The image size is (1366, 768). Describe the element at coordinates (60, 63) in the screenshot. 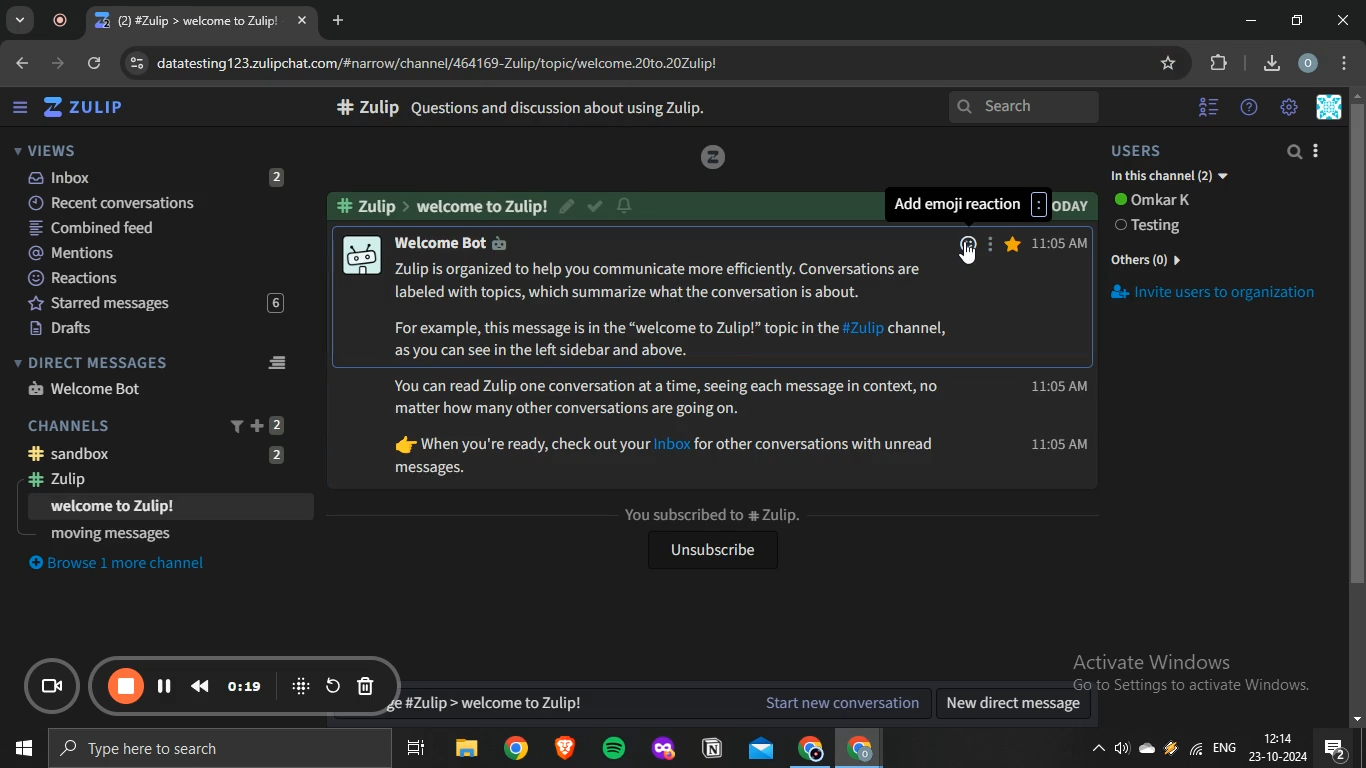

I see `go to next page` at that location.